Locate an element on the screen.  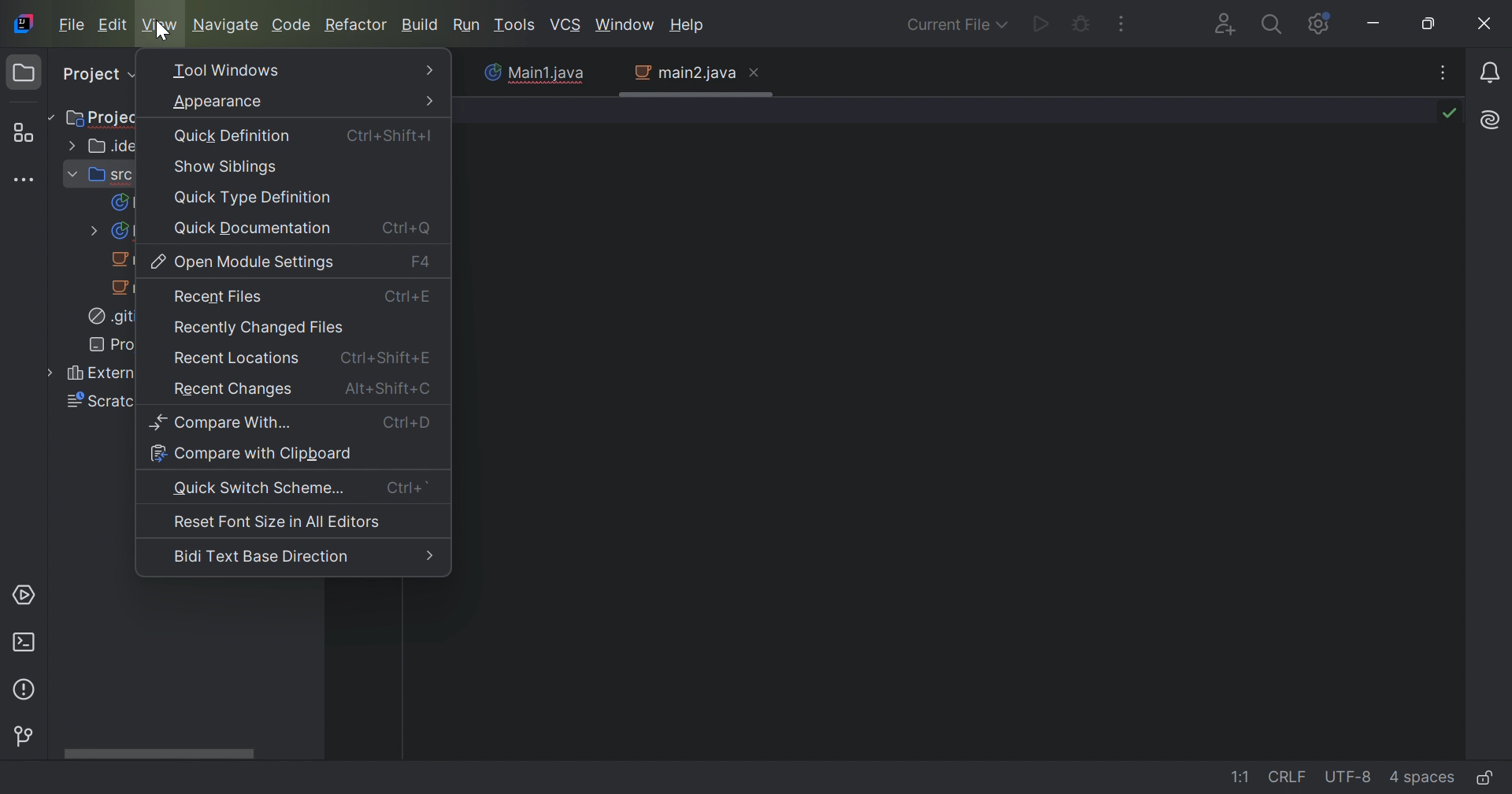
Ctrl+` is located at coordinates (407, 488).